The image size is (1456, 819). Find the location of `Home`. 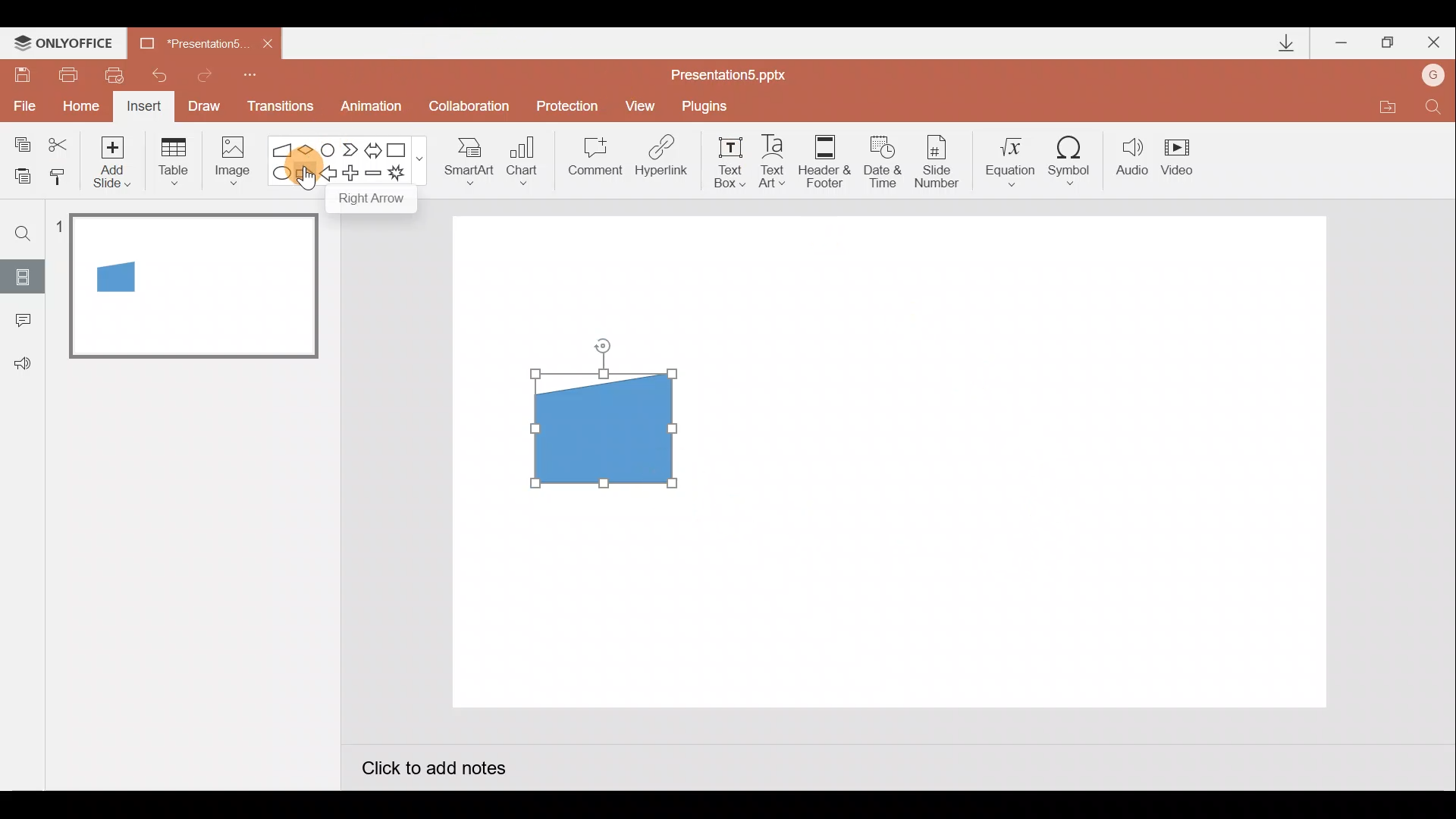

Home is located at coordinates (77, 102).